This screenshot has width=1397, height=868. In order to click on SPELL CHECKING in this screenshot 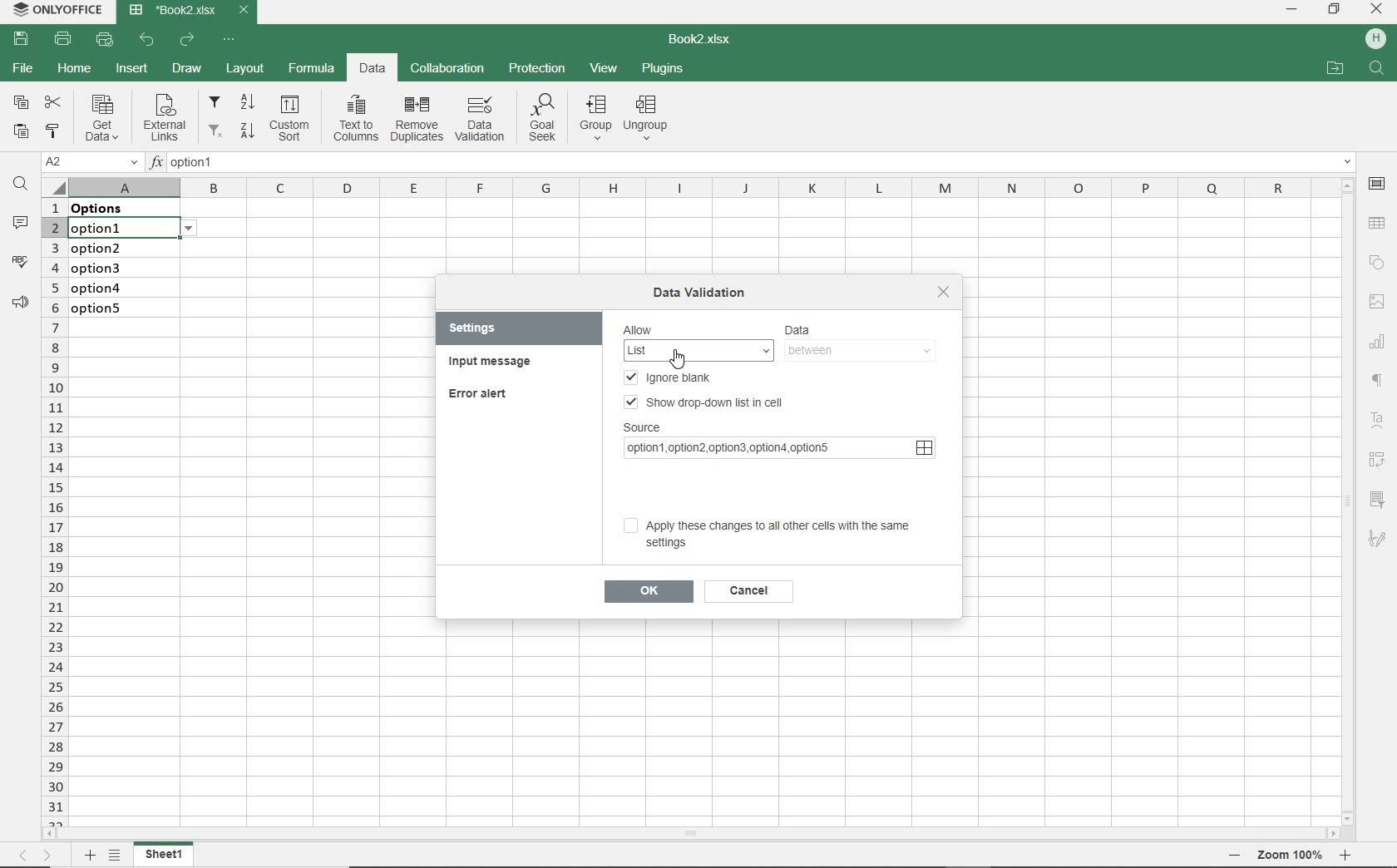, I will do `click(17, 259)`.